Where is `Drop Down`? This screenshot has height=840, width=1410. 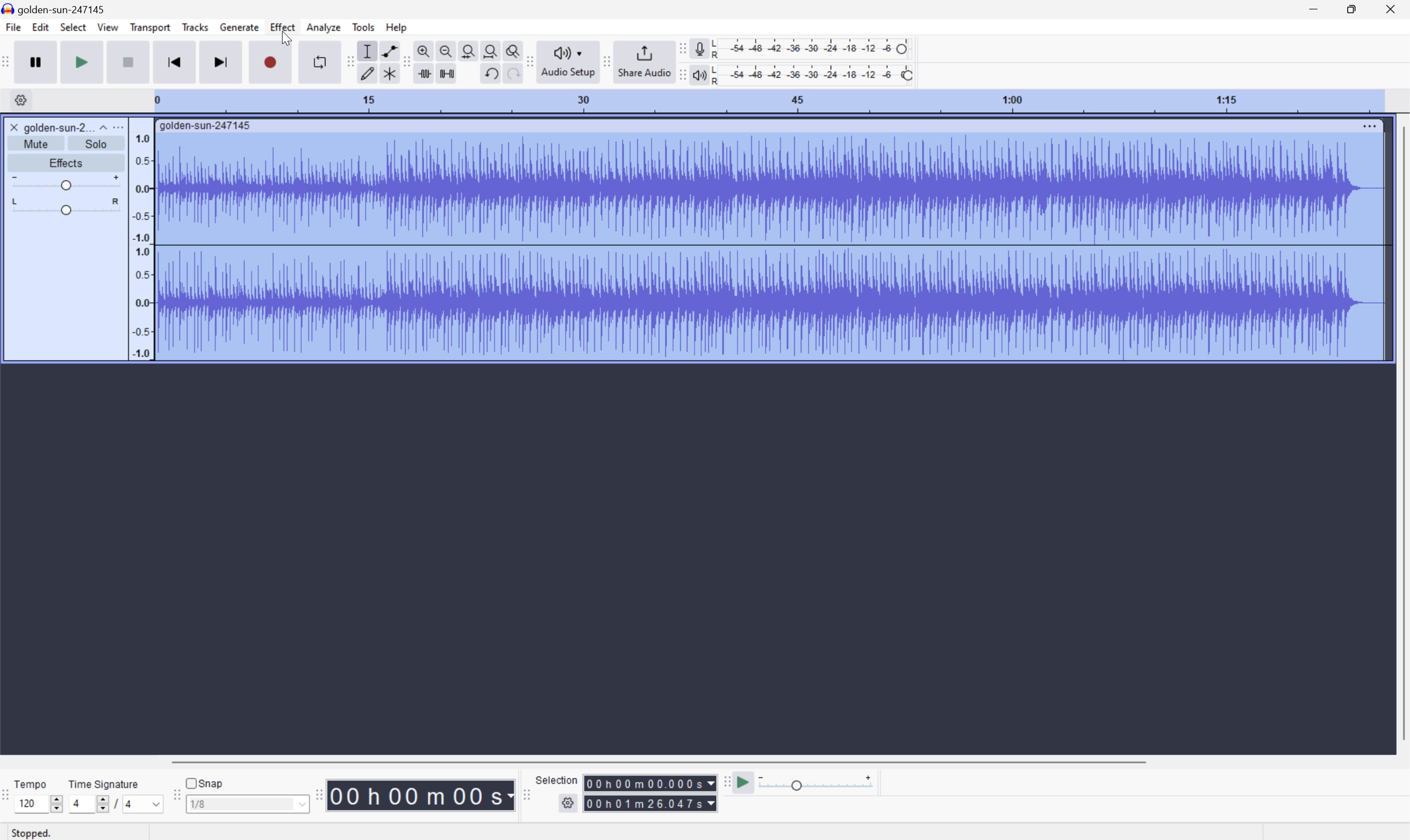 Drop Down is located at coordinates (101, 126).